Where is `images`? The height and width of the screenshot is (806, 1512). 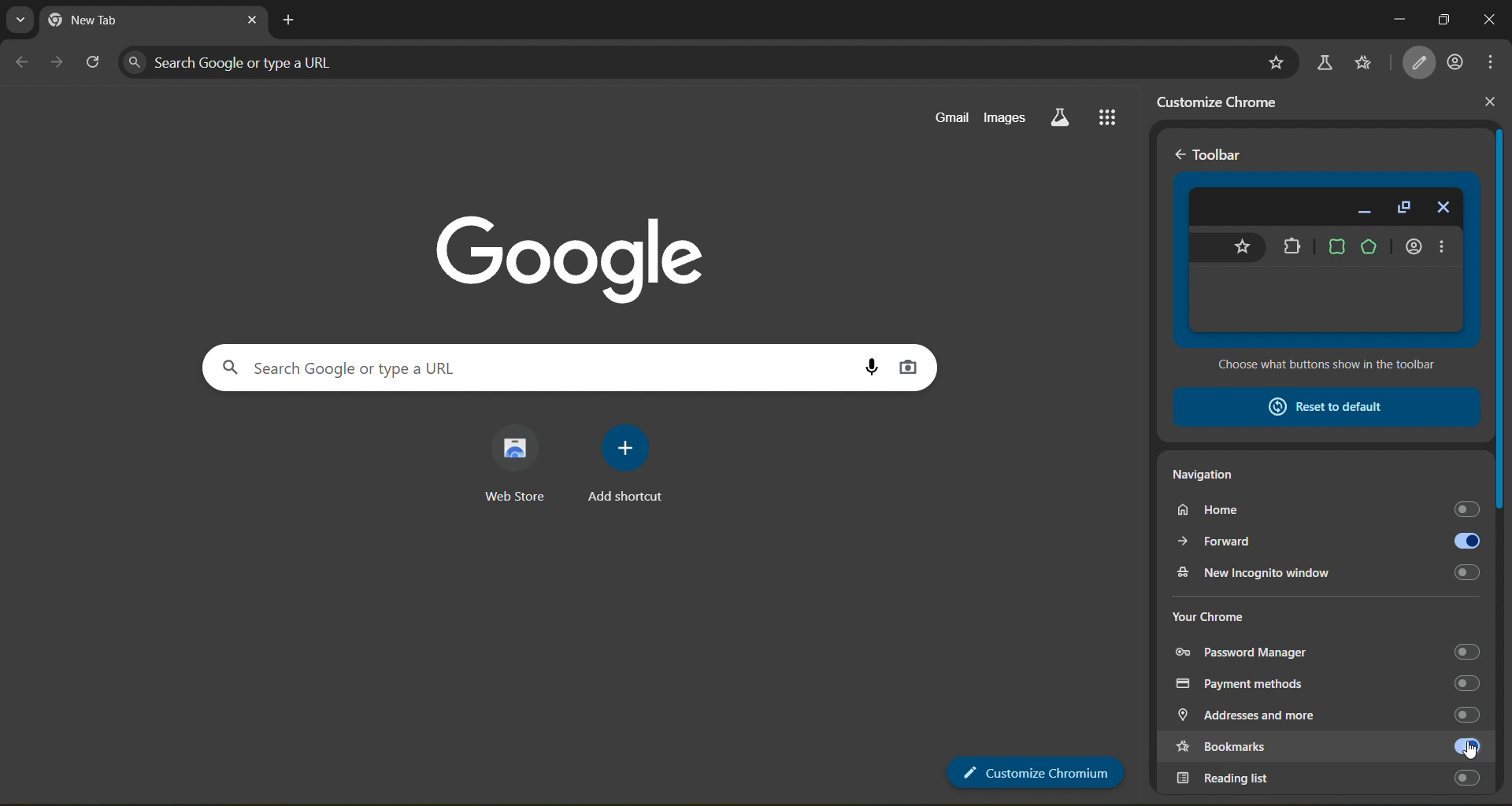
images is located at coordinates (1007, 119).